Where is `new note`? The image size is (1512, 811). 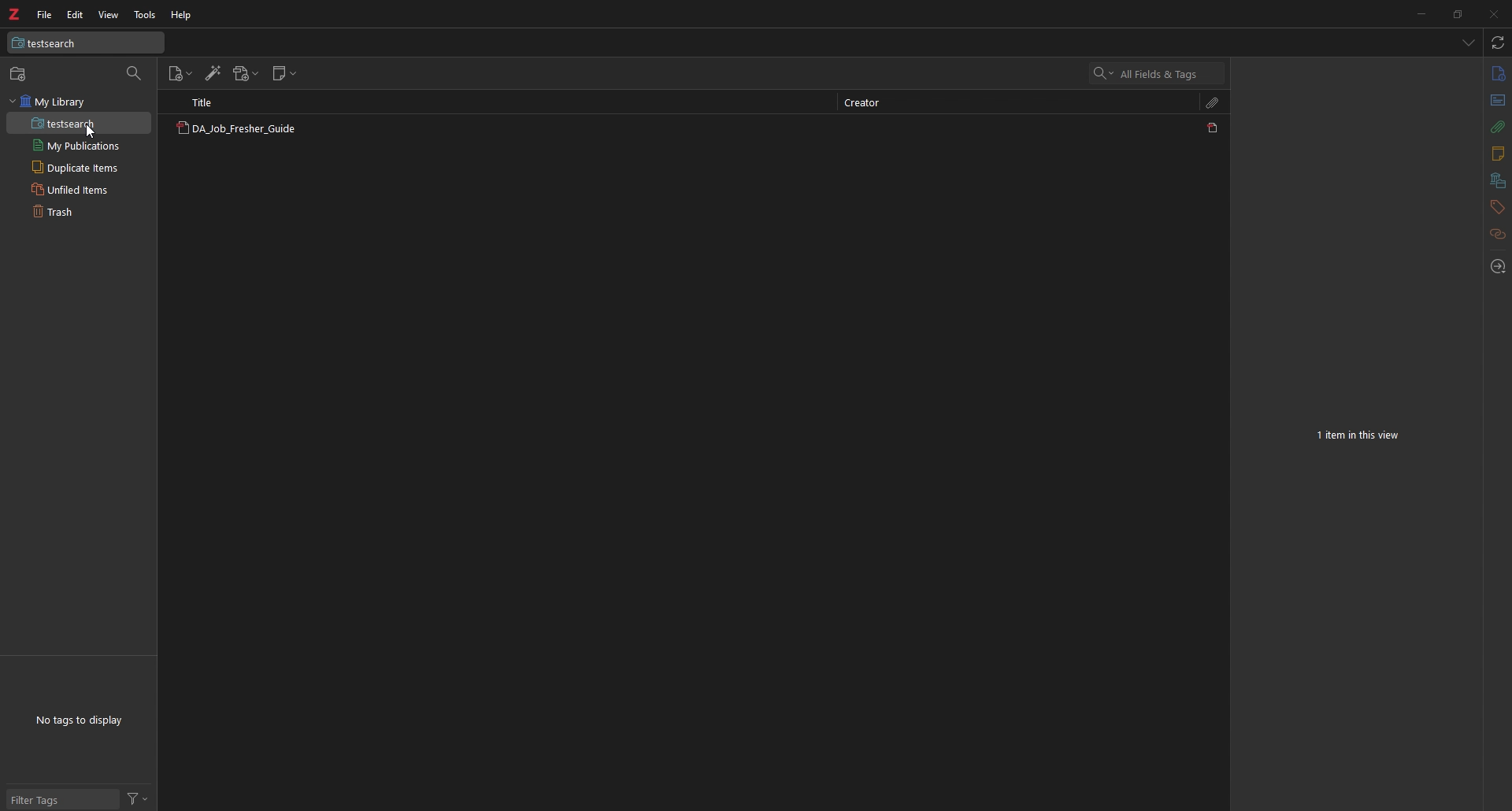 new note is located at coordinates (284, 73).